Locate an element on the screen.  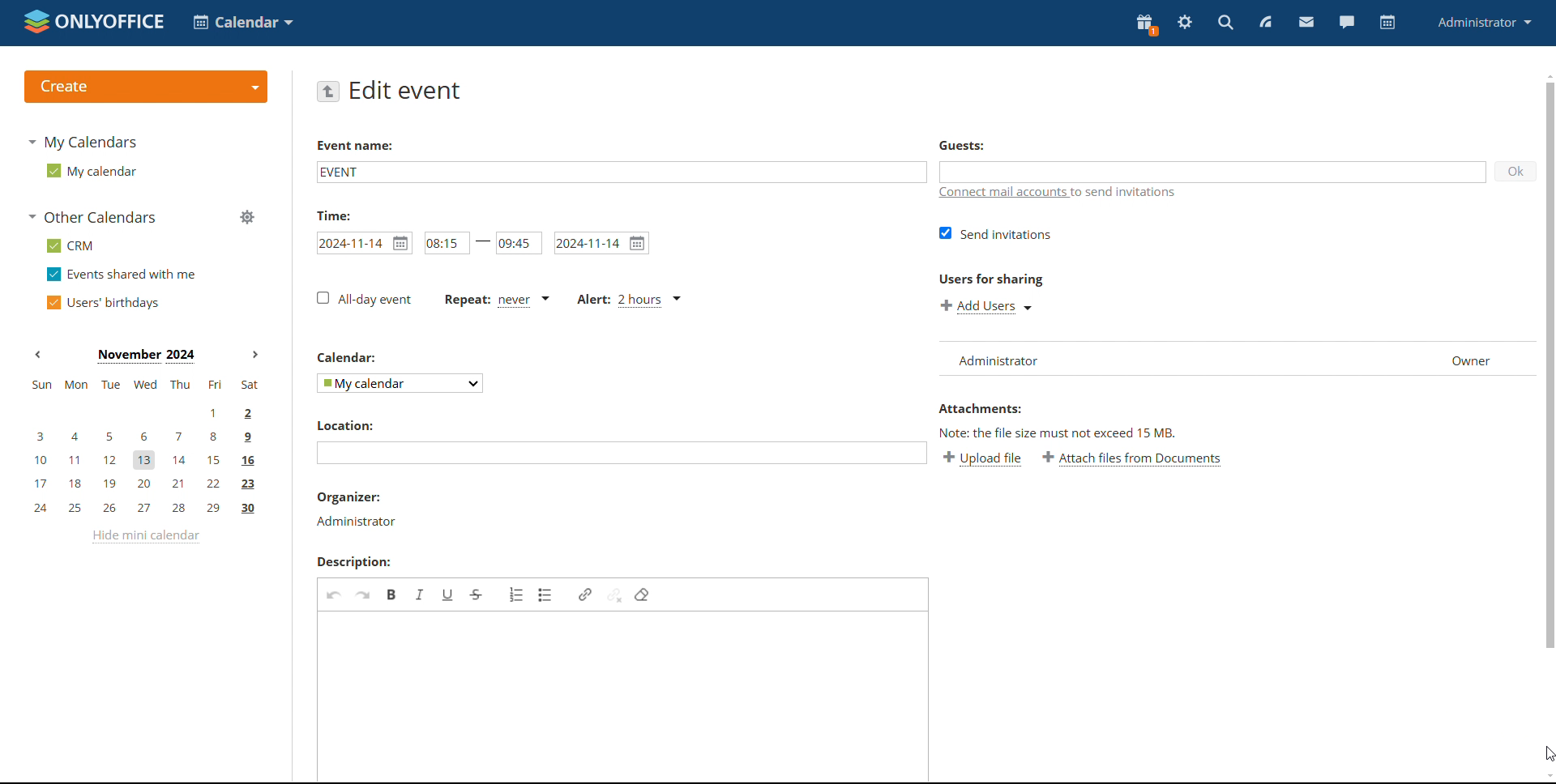
location label is located at coordinates (348, 428).